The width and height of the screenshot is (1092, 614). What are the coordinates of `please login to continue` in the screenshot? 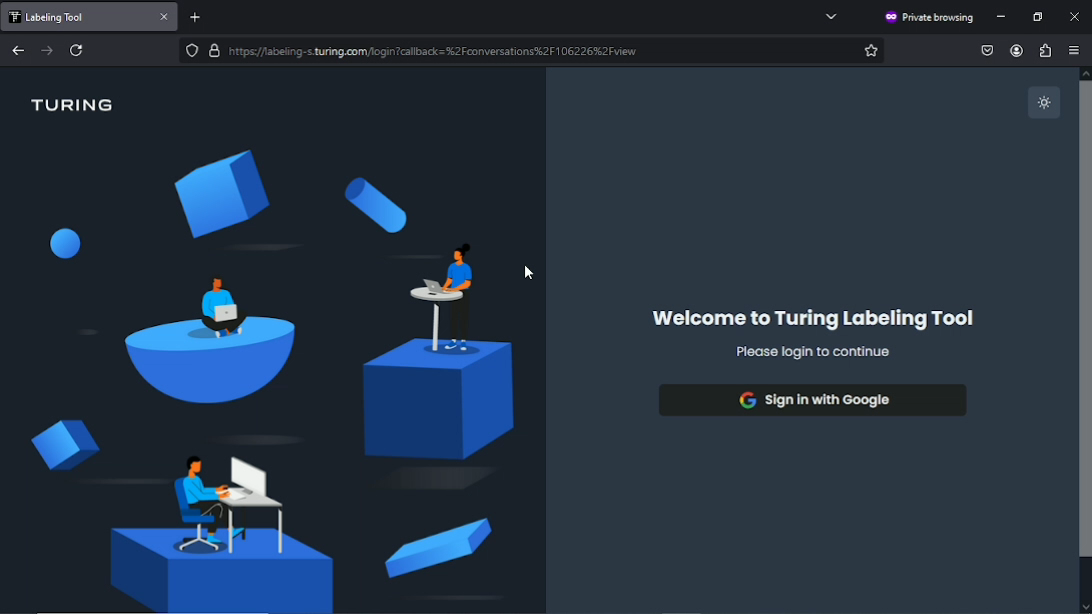 It's located at (811, 352).